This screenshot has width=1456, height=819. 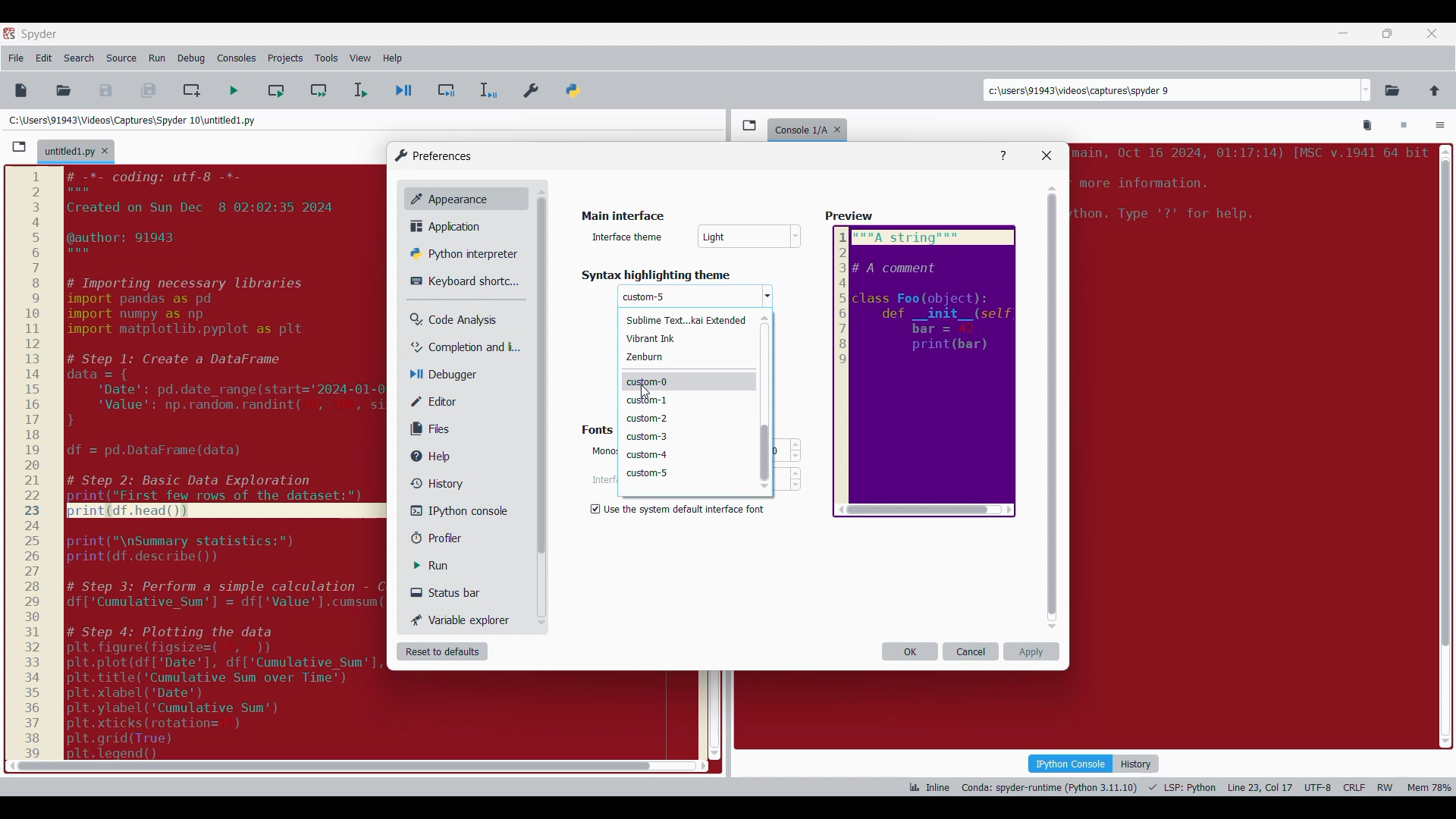 I want to click on Python interpreter, so click(x=460, y=253).